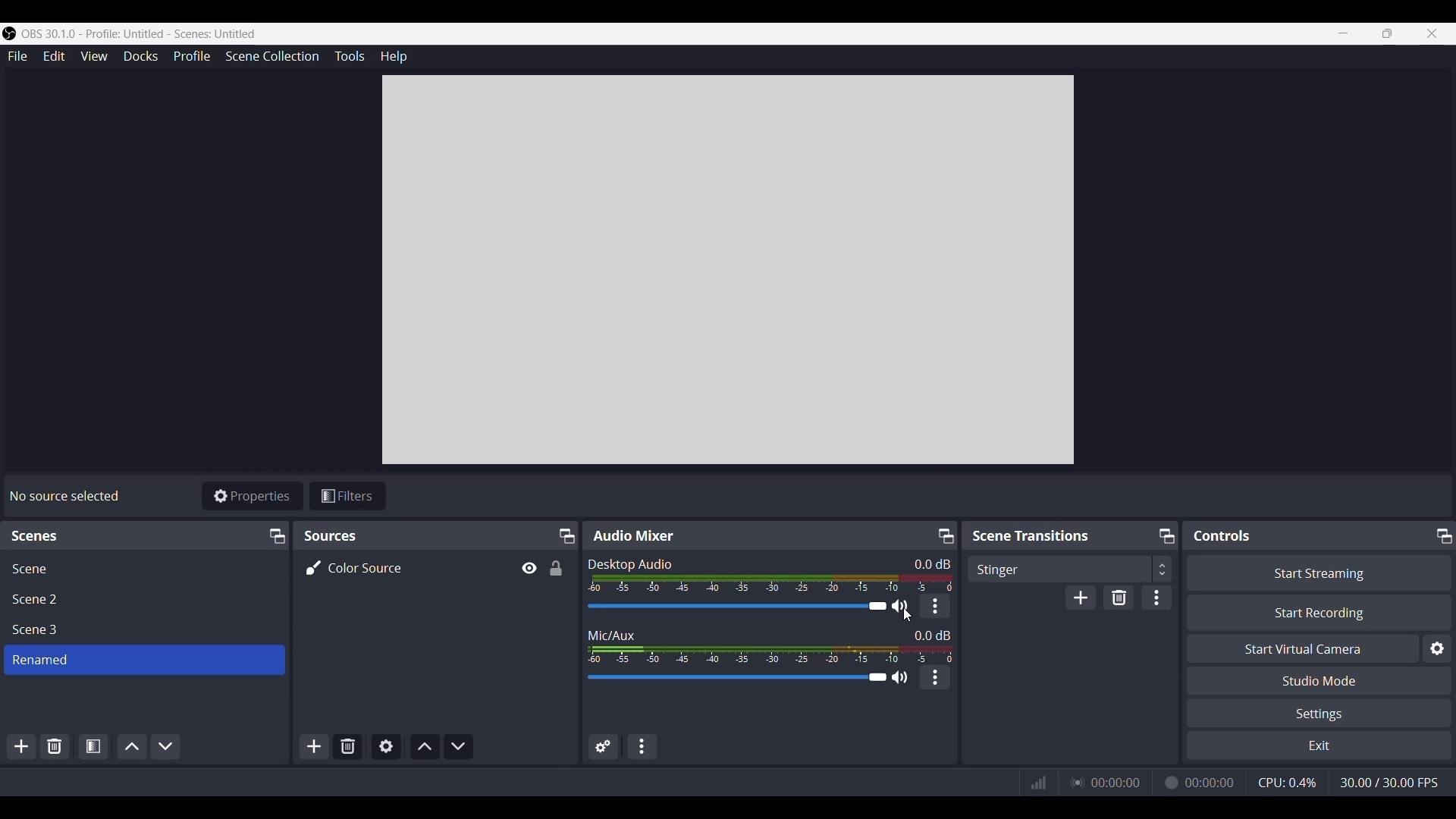 This screenshot has height=819, width=1456. What do you see at coordinates (1302, 648) in the screenshot?
I see `Start virtual camera` at bounding box center [1302, 648].